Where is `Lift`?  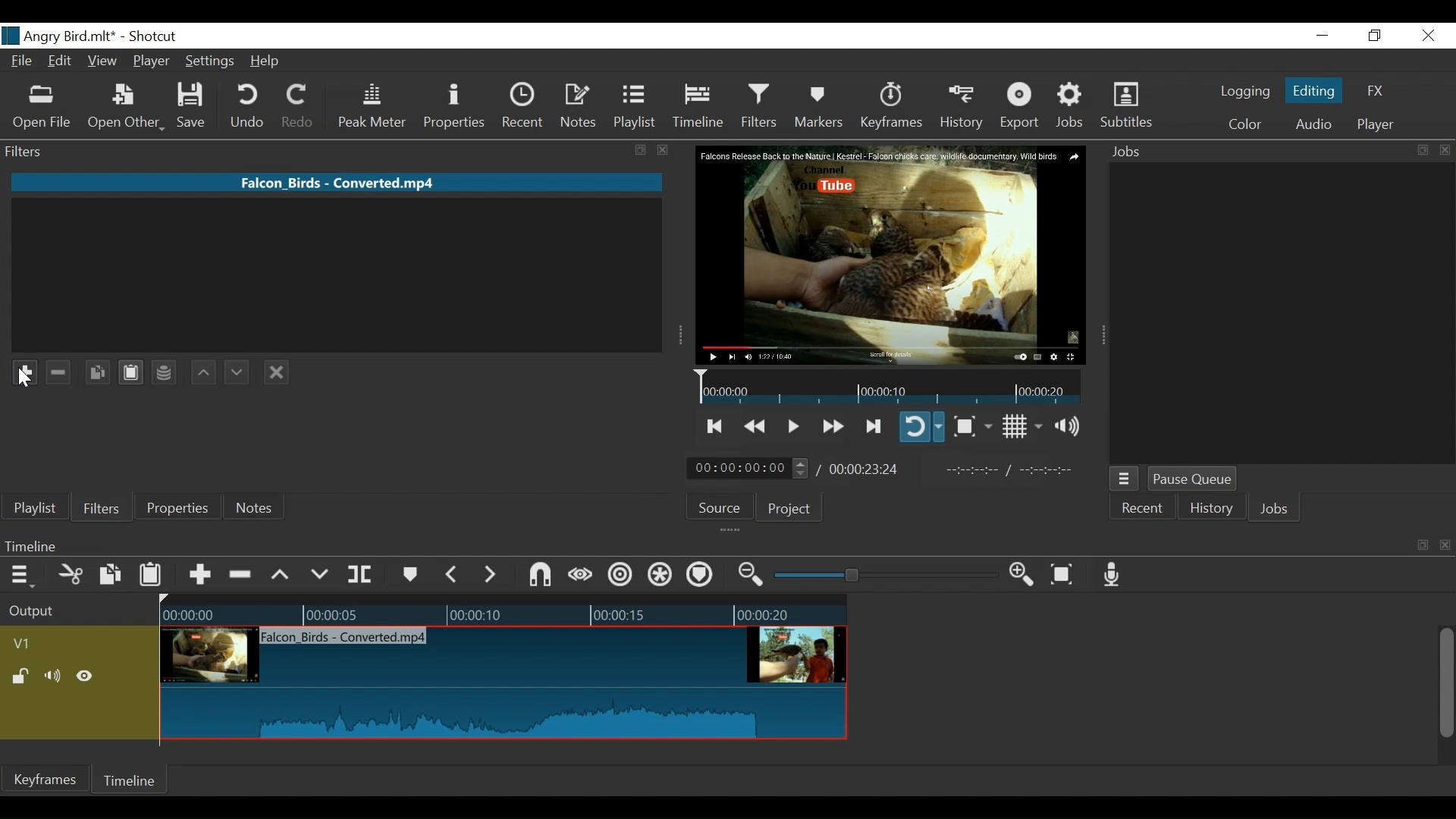 Lift is located at coordinates (283, 576).